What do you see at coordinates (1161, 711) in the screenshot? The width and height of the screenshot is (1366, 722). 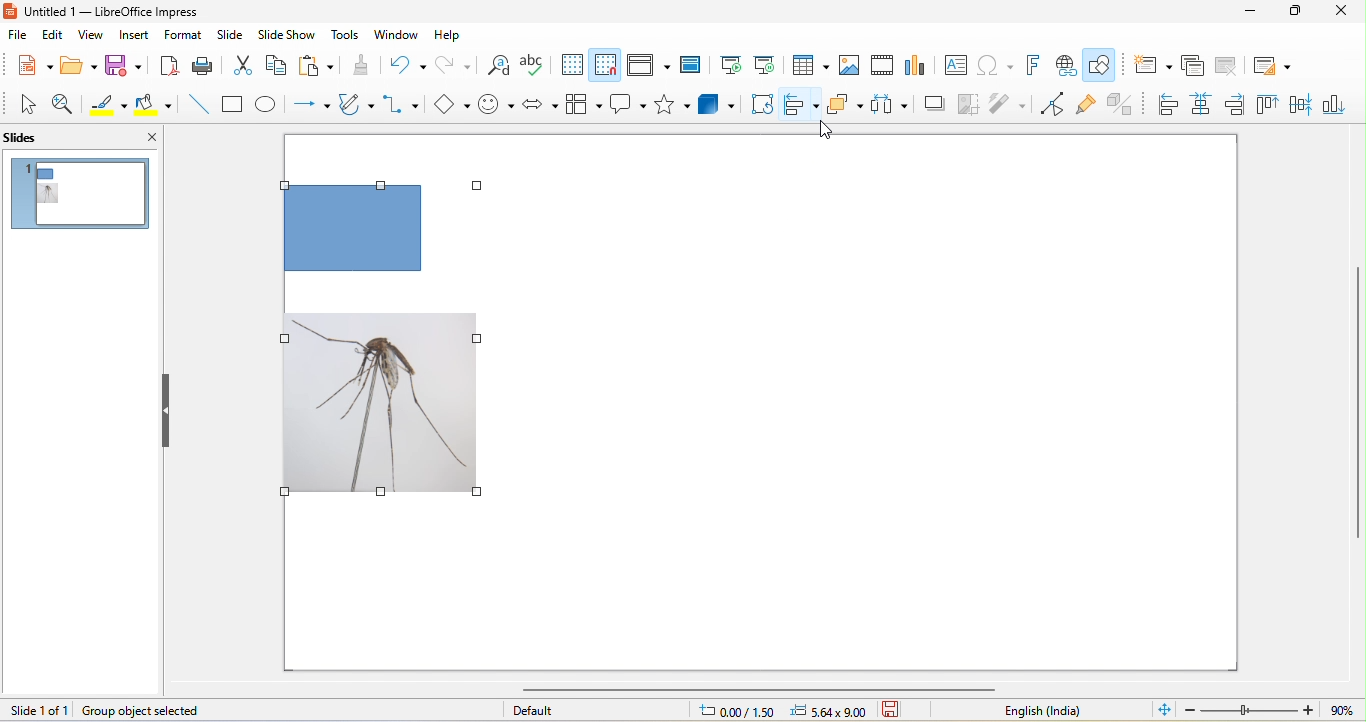 I see `fit slide to current window` at bounding box center [1161, 711].